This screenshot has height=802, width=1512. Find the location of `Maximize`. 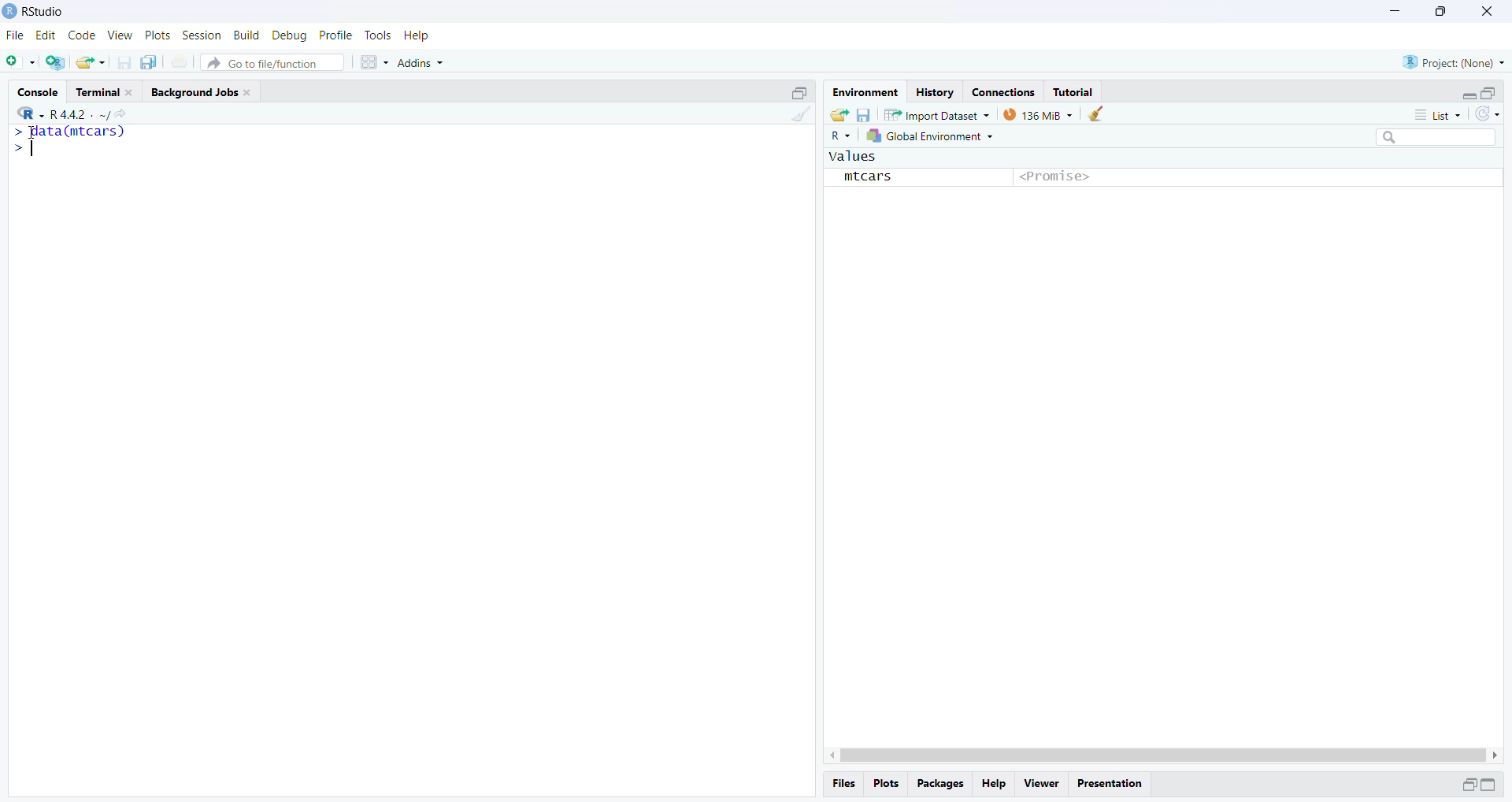

Maximize is located at coordinates (1439, 12).